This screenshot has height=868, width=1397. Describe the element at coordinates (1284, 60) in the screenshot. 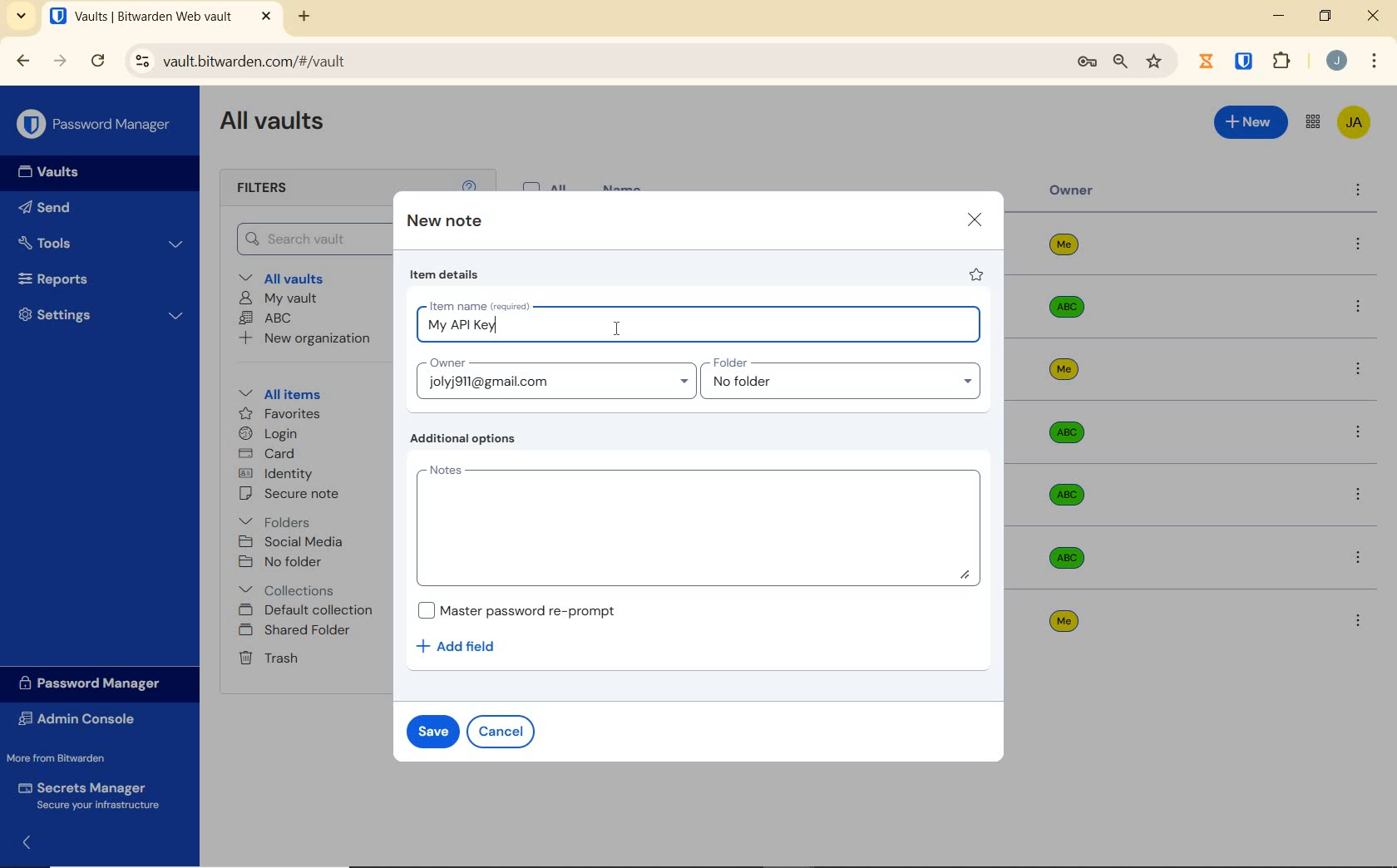

I see `extensions` at that location.